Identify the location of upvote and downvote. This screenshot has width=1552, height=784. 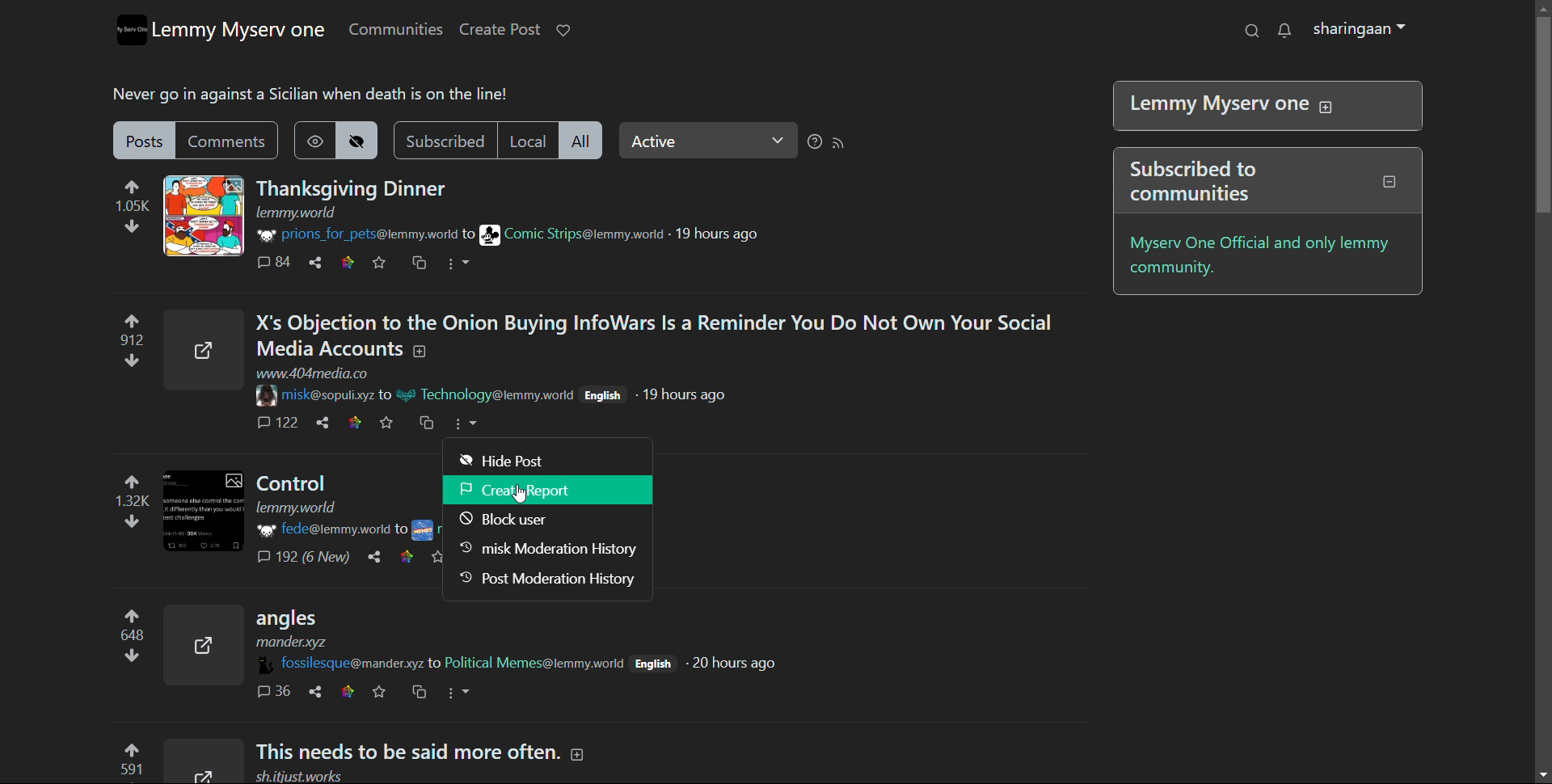
(123, 641).